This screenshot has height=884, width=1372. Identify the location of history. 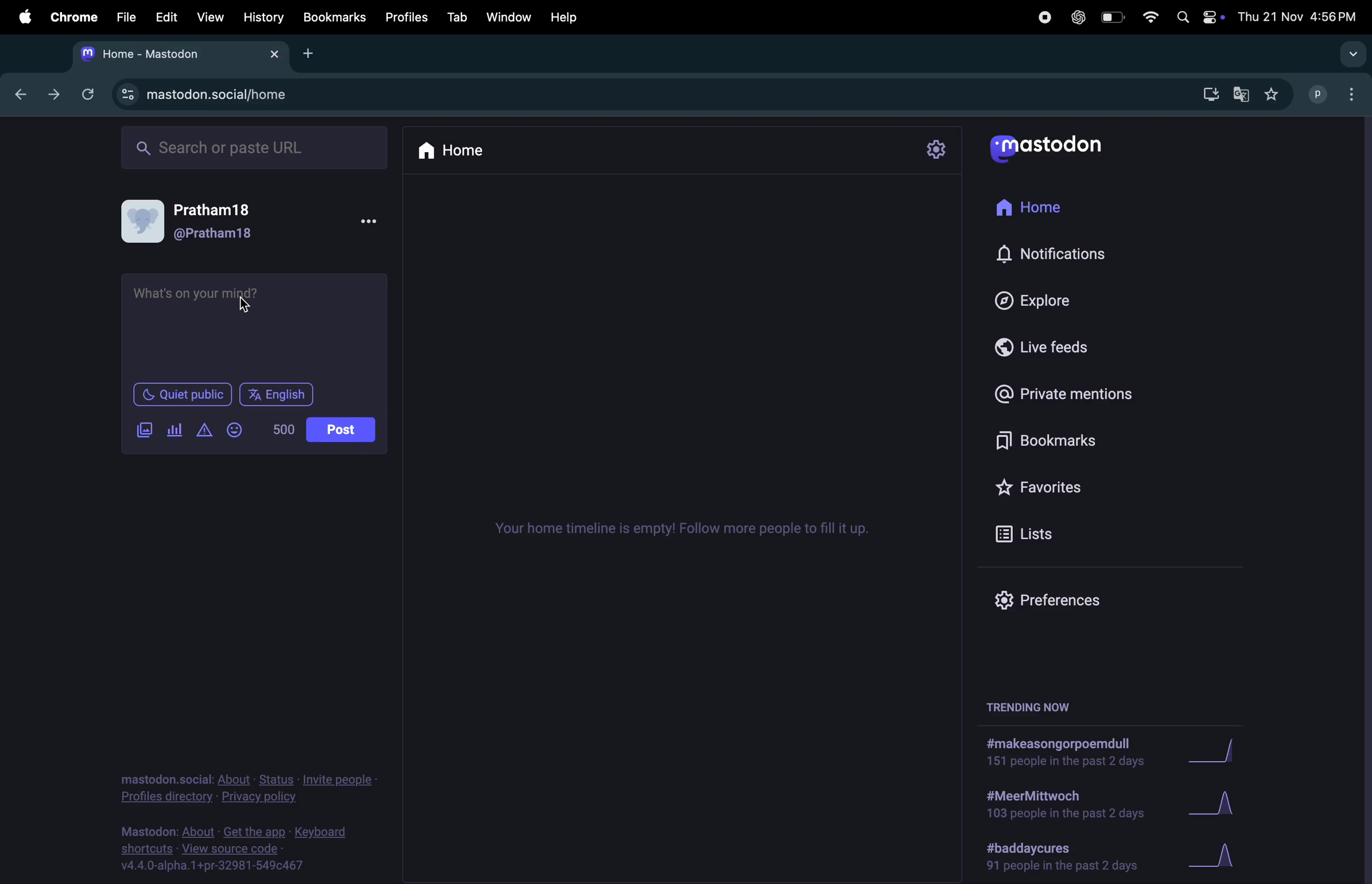
(263, 17).